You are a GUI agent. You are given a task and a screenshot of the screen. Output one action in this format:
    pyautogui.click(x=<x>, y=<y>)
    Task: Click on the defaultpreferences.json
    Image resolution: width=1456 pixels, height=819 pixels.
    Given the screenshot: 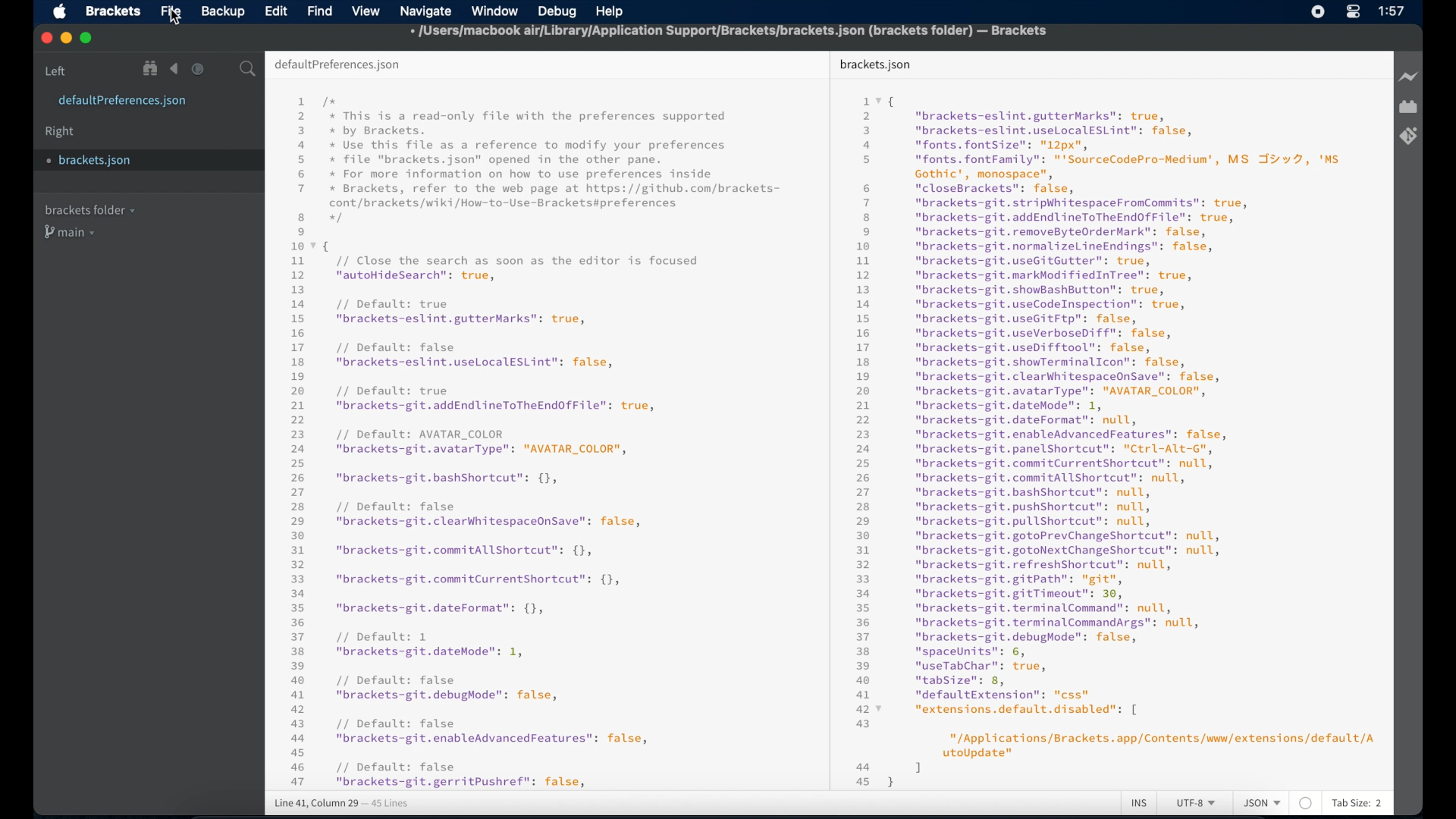 What is the action you would take?
    pyautogui.click(x=123, y=102)
    